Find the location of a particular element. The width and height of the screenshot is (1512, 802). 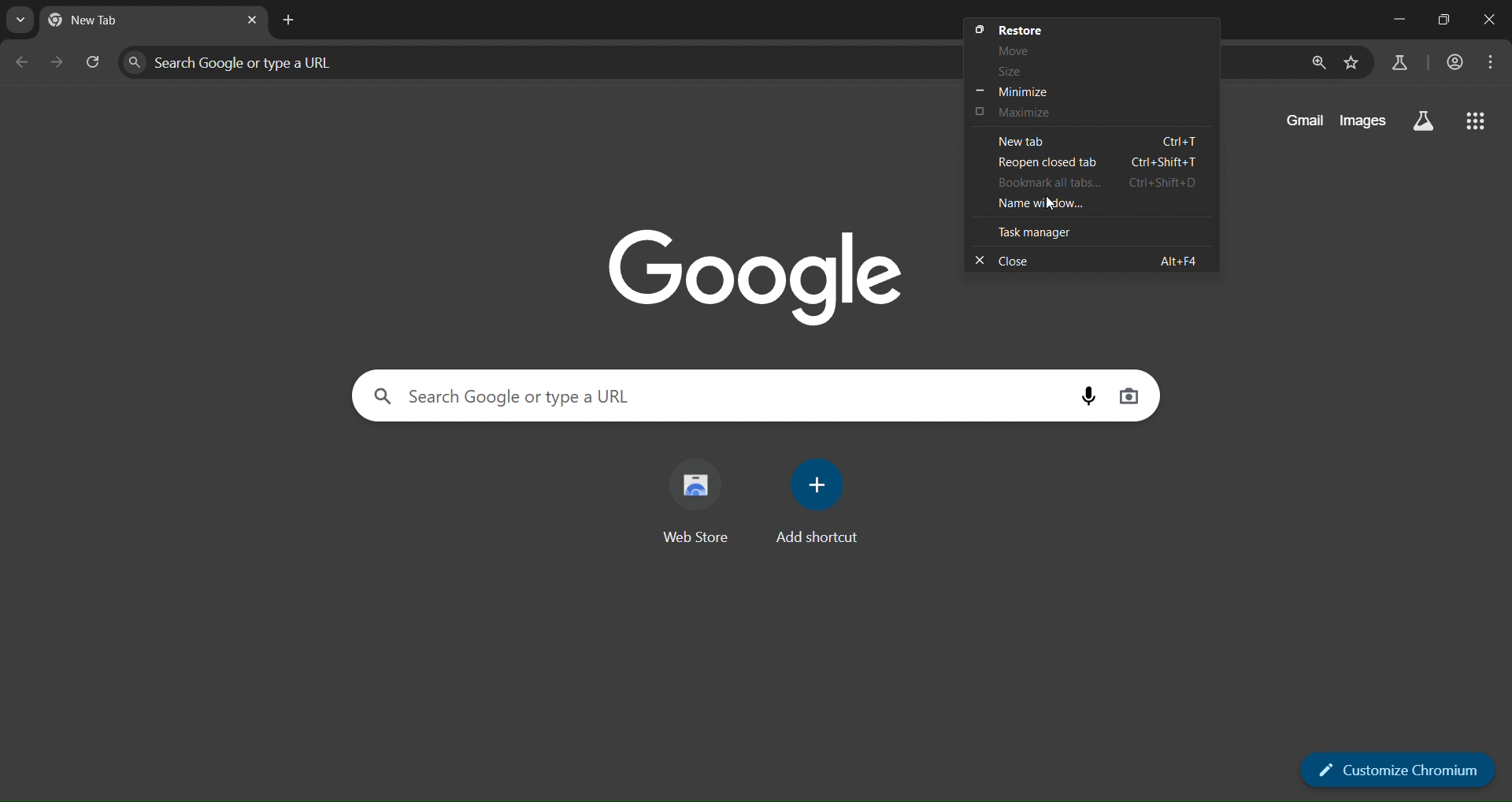

reload tab is located at coordinates (95, 61).